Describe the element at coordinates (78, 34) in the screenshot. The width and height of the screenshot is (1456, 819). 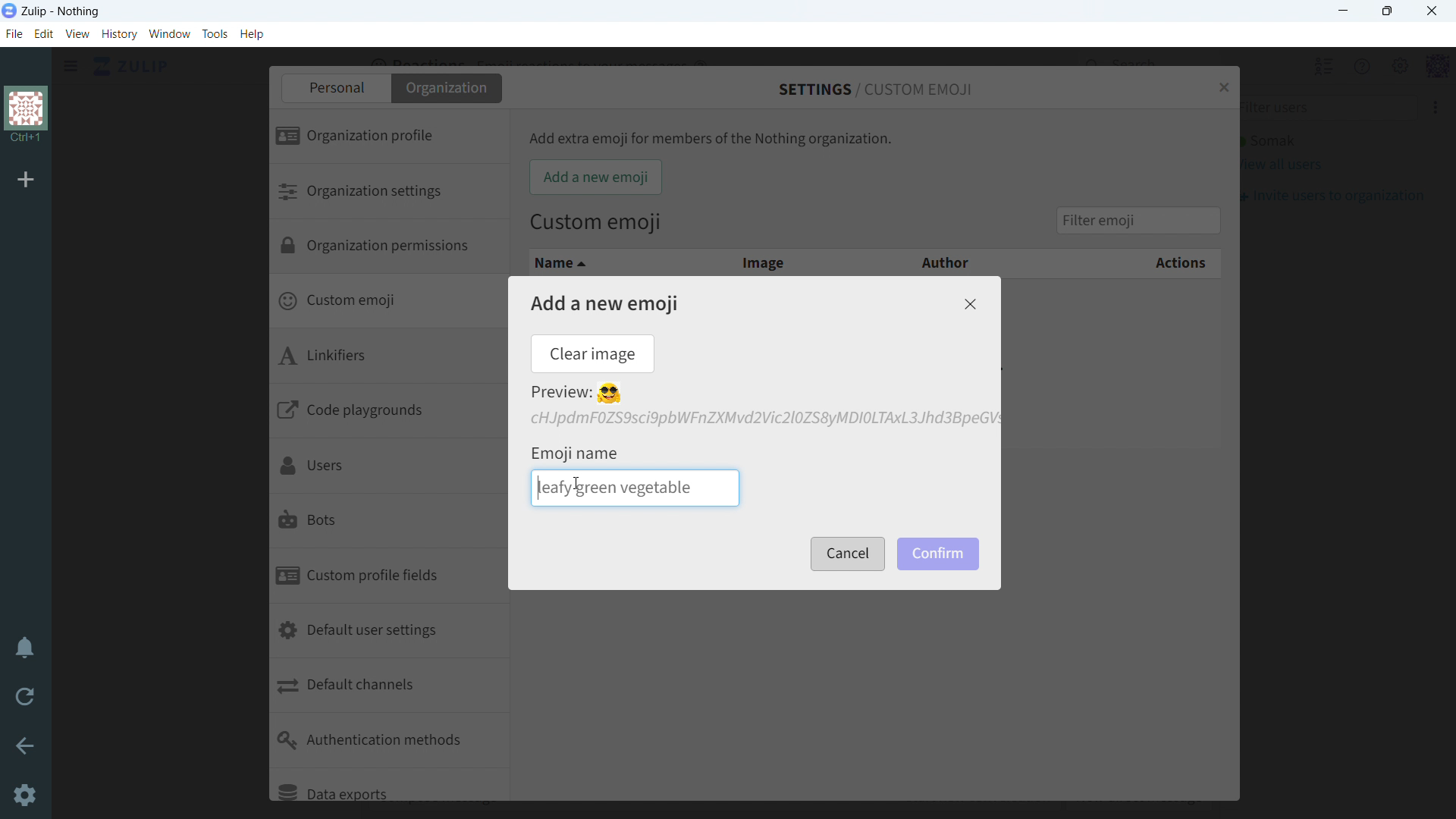
I see `view` at that location.